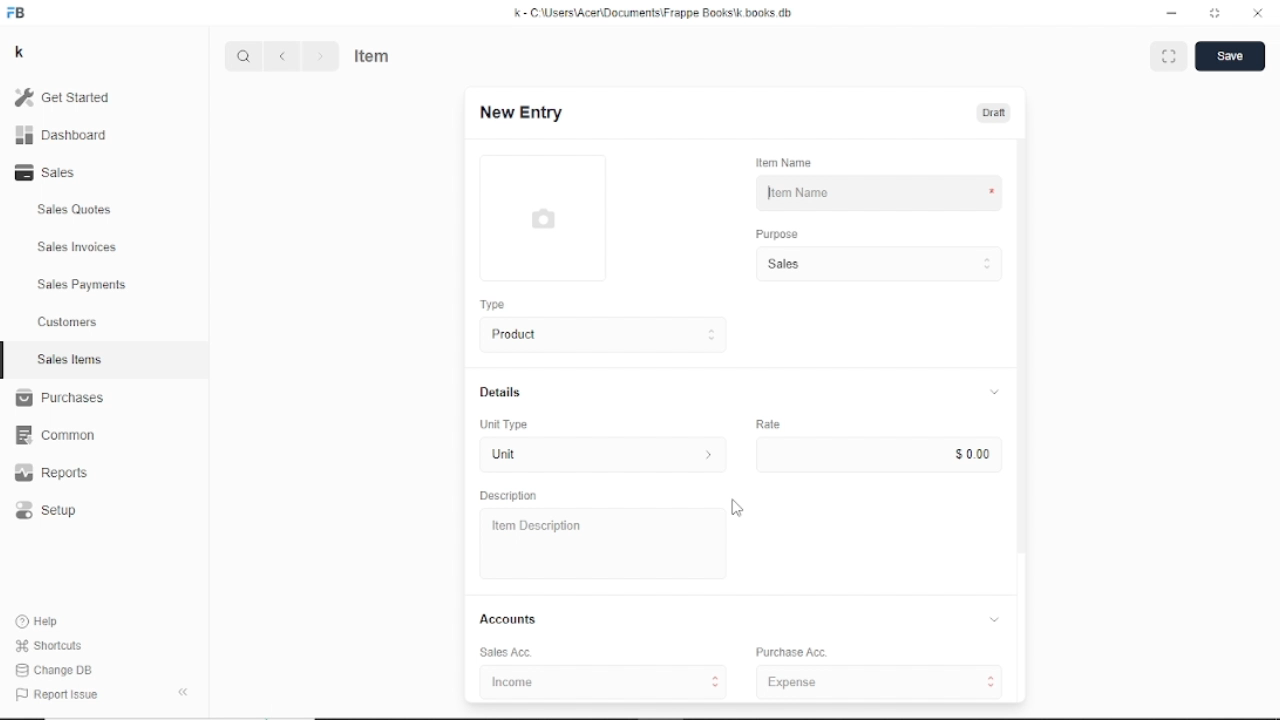  What do you see at coordinates (520, 112) in the screenshot?
I see `New Entry` at bounding box center [520, 112].